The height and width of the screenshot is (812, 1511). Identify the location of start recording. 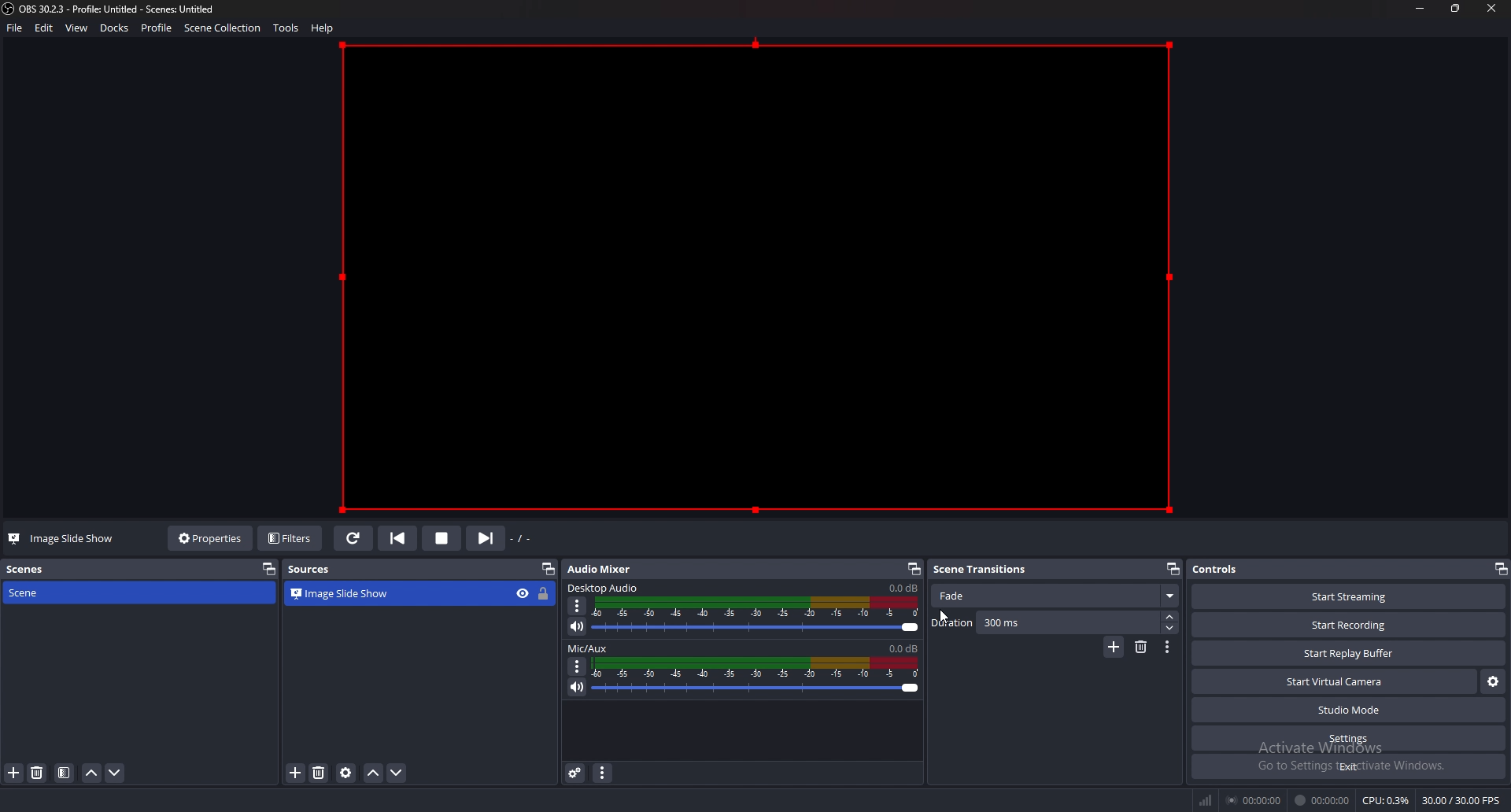
(1351, 624).